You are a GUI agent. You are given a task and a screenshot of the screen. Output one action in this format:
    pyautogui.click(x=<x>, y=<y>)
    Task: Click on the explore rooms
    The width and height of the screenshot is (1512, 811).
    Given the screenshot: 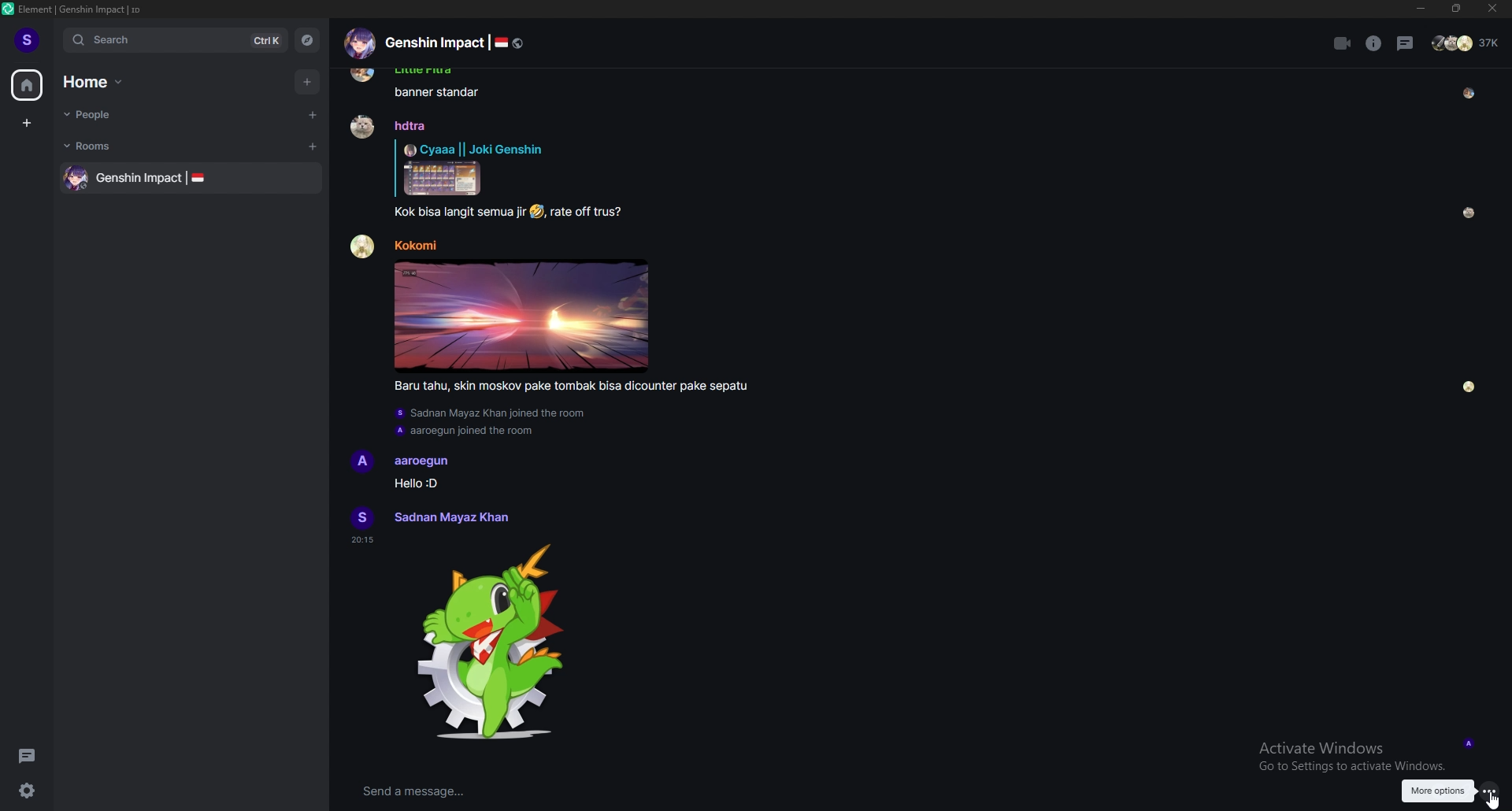 What is the action you would take?
    pyautogui.click(x=306, y=40)
    